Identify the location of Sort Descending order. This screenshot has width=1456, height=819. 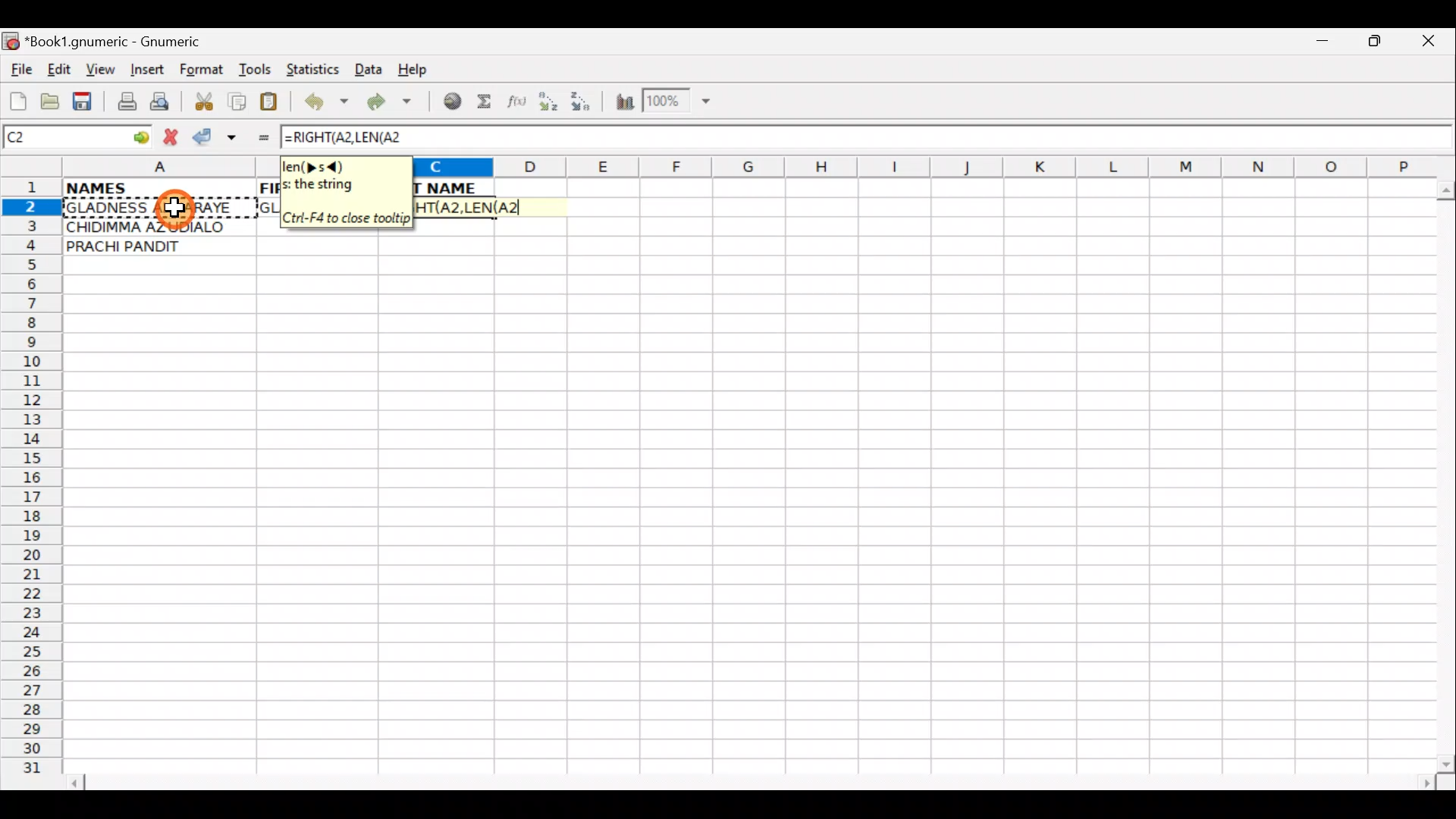
(585, 105).